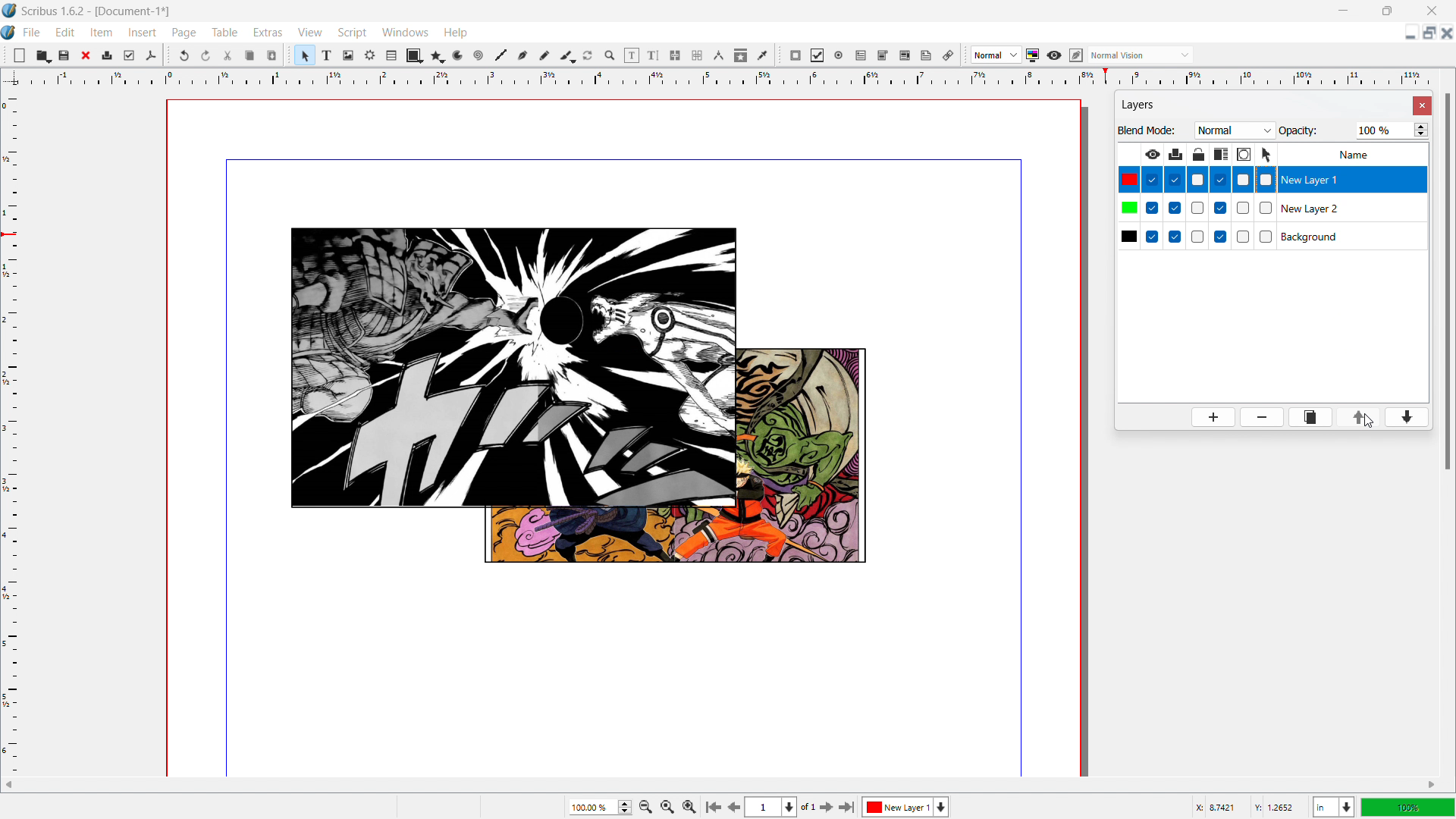  Describe the element at coordinates (1447, 33) in the screenshot. I see `close document` at that location.